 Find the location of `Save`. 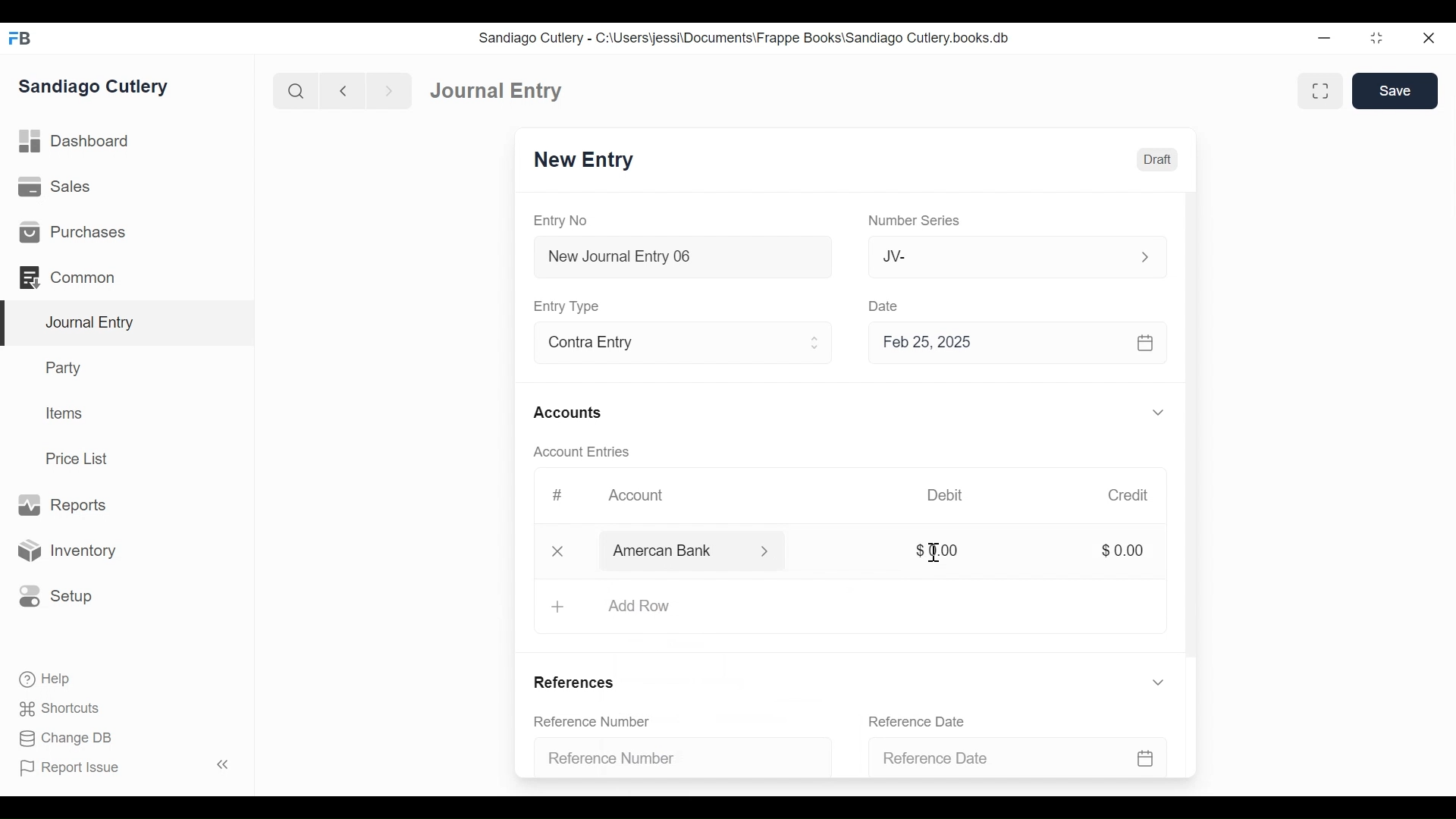

Save is located at coordinates (1395, 90).